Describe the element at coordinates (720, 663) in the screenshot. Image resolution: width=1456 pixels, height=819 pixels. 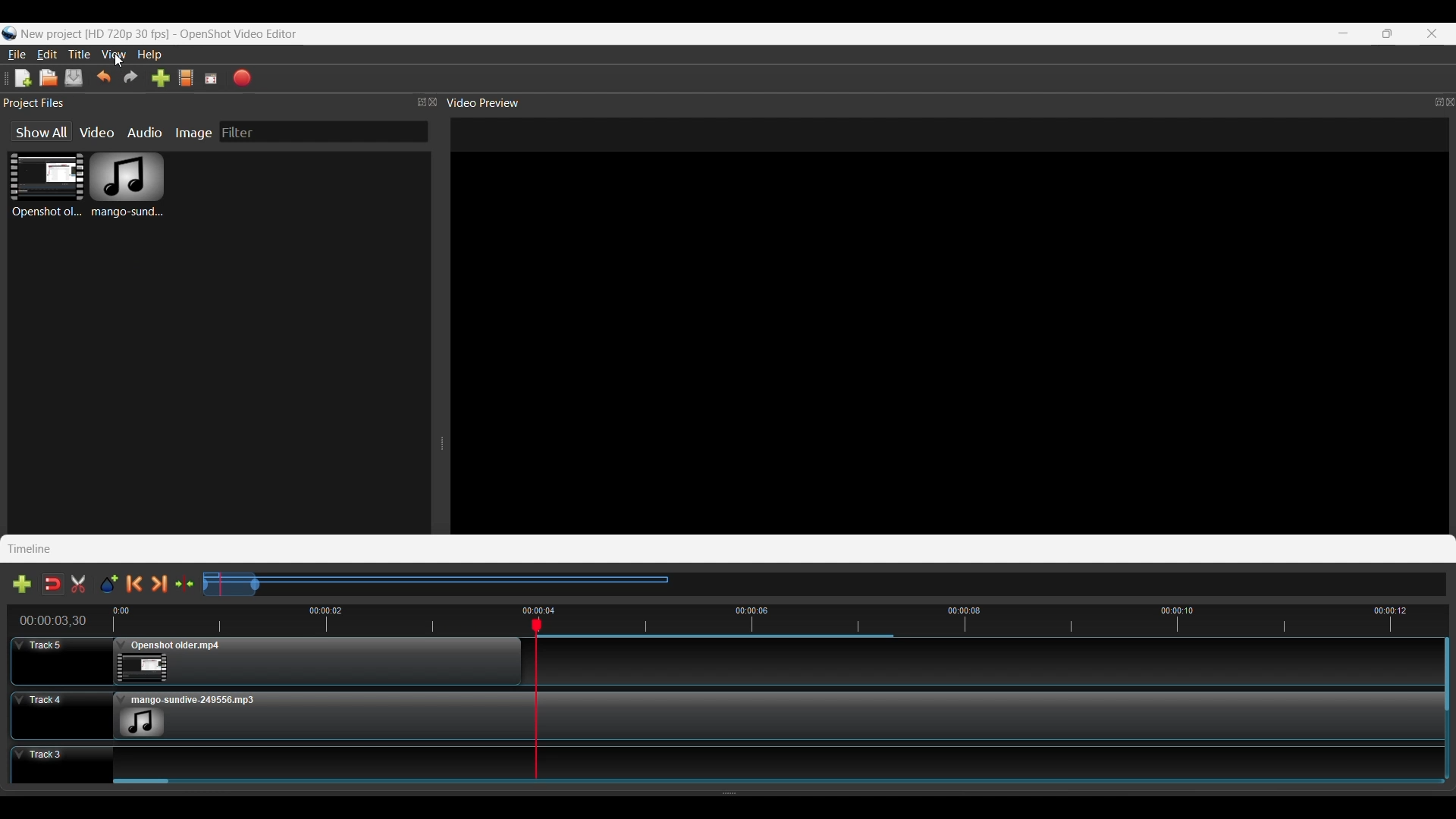
I see `Track 5` at that location.